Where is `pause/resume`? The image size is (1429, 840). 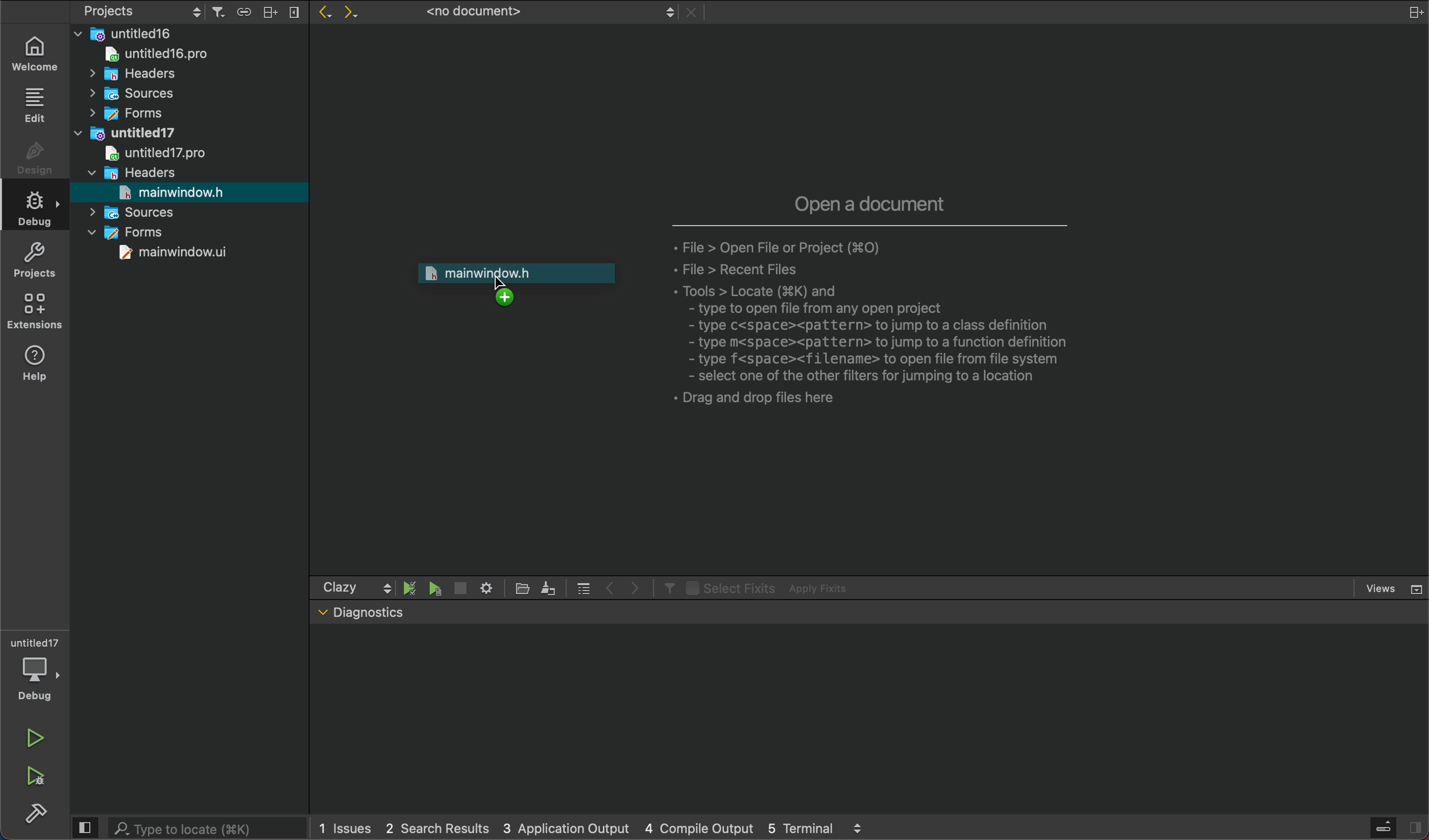
pause/resume is located at coordinates (411, 587).